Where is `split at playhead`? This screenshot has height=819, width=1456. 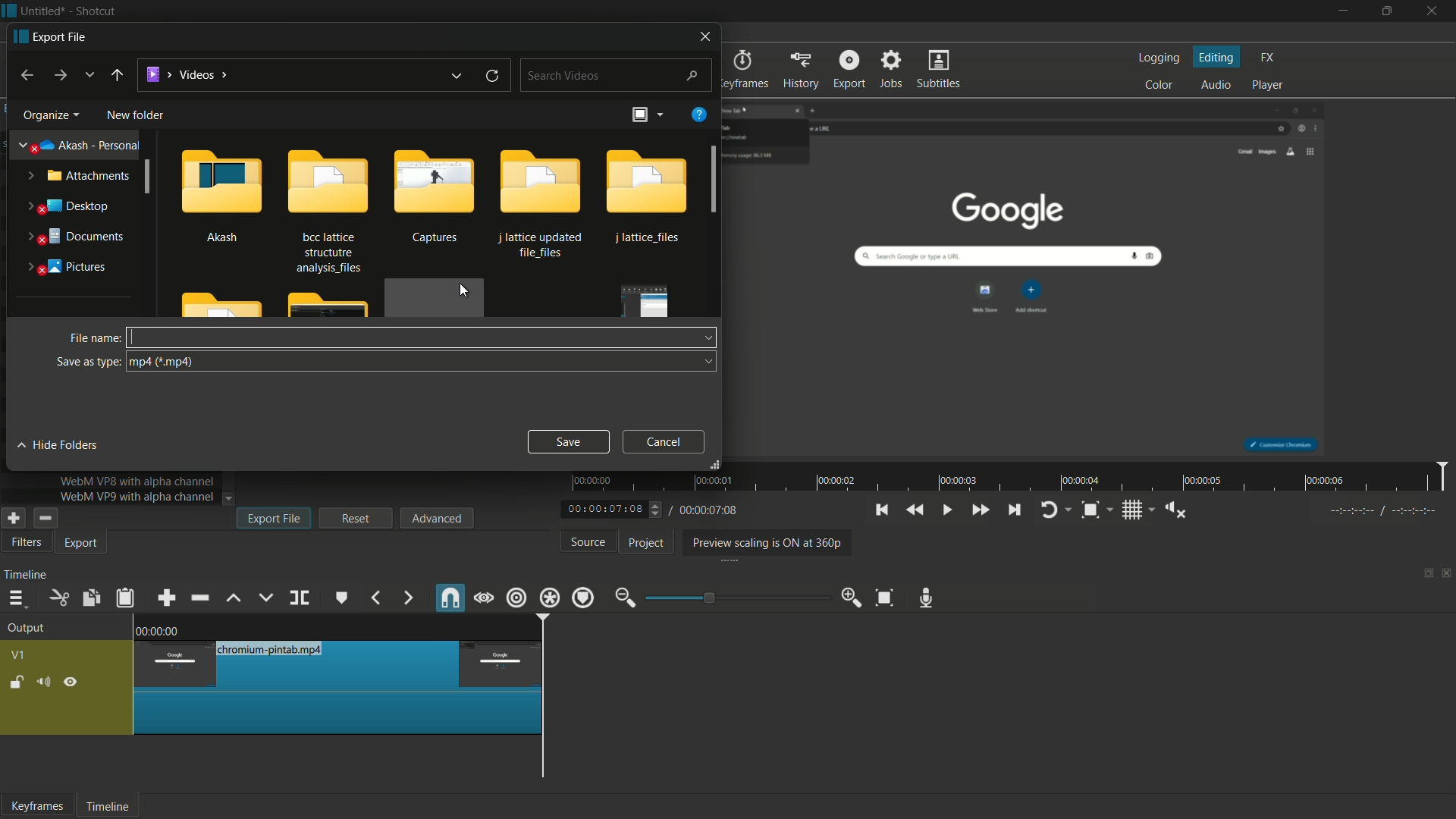 split at playhead is located at coordinates (300, 598).